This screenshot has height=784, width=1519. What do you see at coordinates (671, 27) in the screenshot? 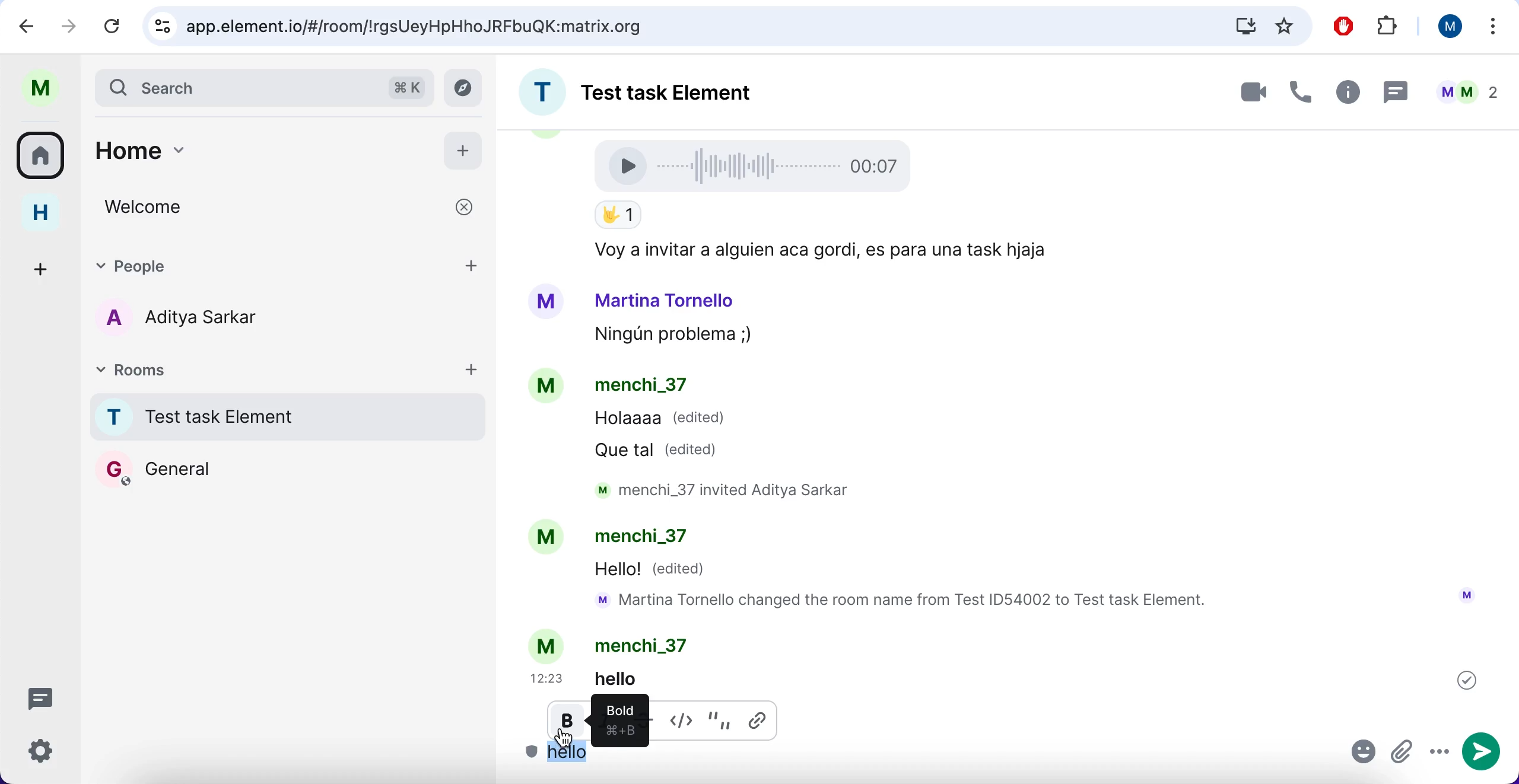
I see `google search bar` at bounding box center [671, 27].